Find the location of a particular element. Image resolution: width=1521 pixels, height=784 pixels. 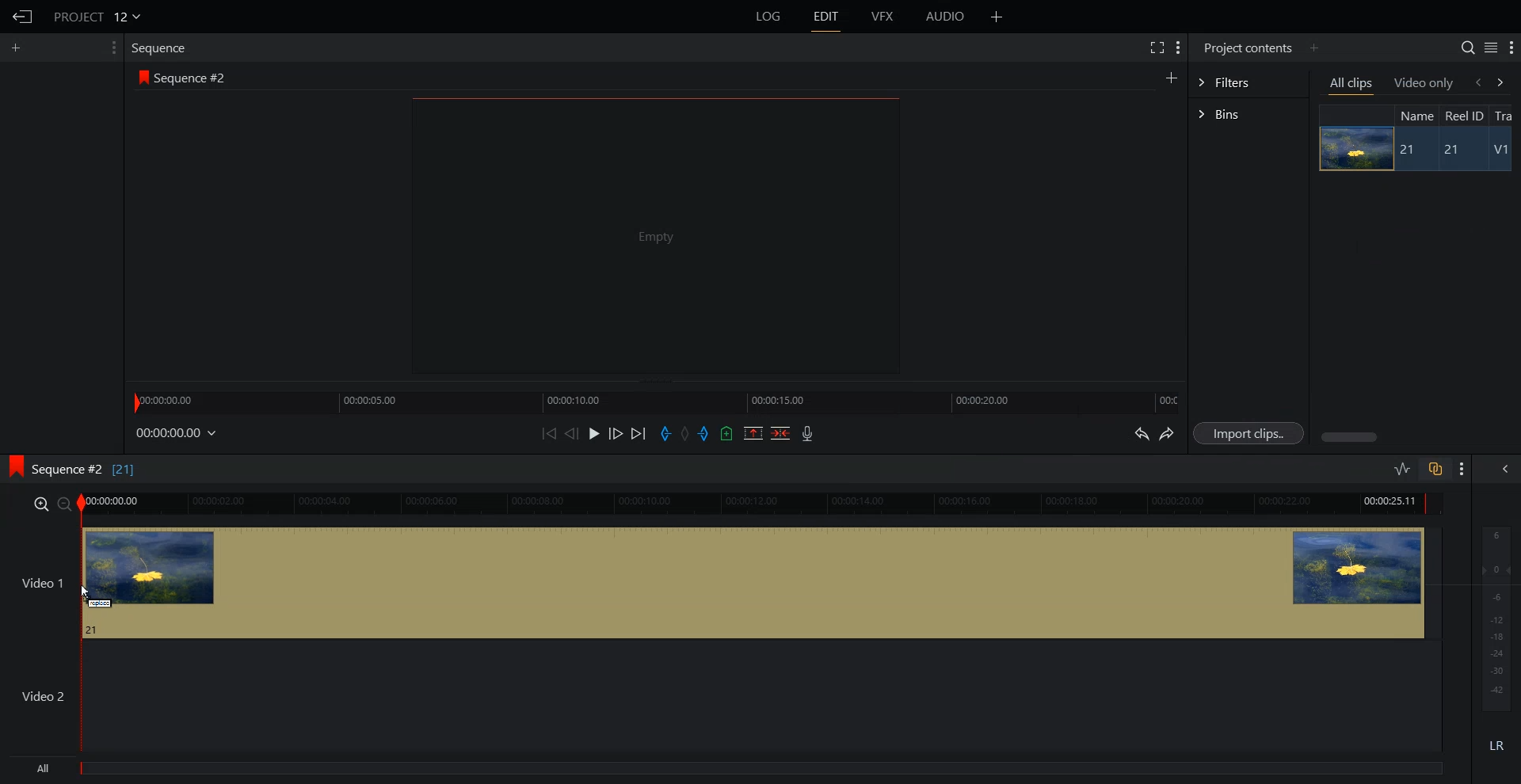

name is located at coordinates (1416, 115).